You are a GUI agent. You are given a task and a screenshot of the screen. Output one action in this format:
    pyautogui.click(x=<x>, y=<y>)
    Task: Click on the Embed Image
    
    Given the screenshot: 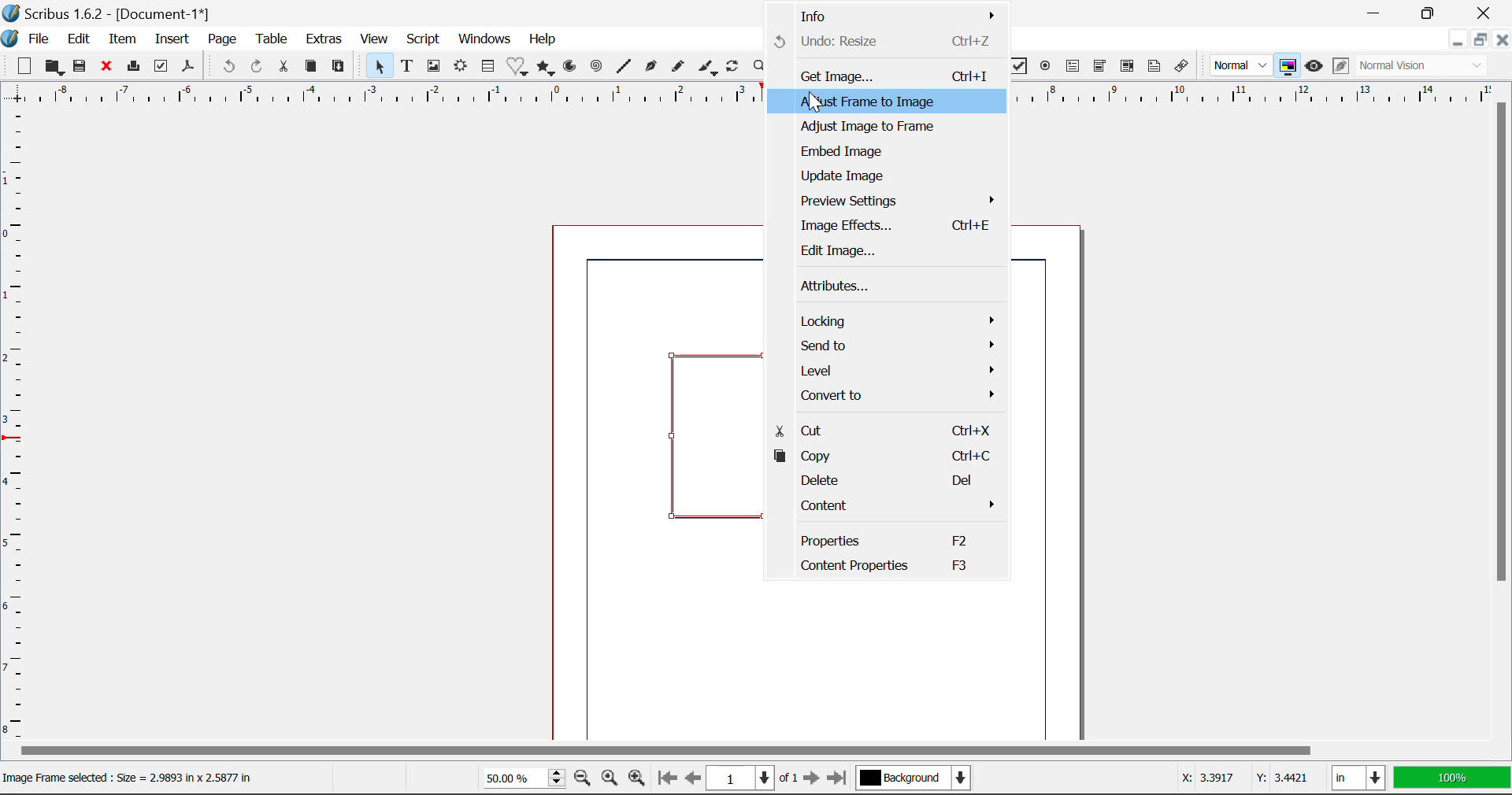 What is the action you would take?
    pyautogui.click(x=884, y=152)
    